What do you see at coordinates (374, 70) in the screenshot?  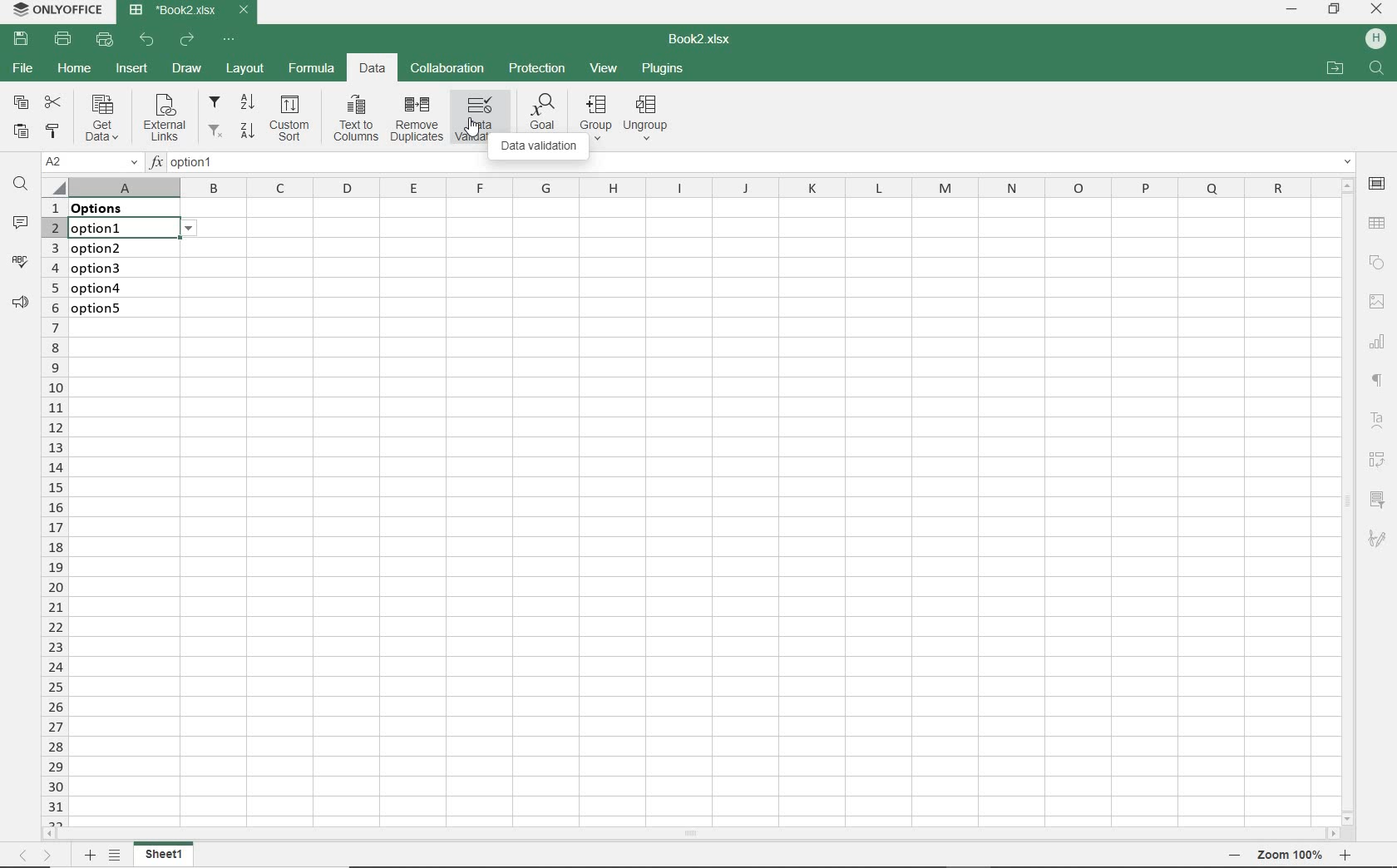 I see `DATA` at bounding box center [374, 70].